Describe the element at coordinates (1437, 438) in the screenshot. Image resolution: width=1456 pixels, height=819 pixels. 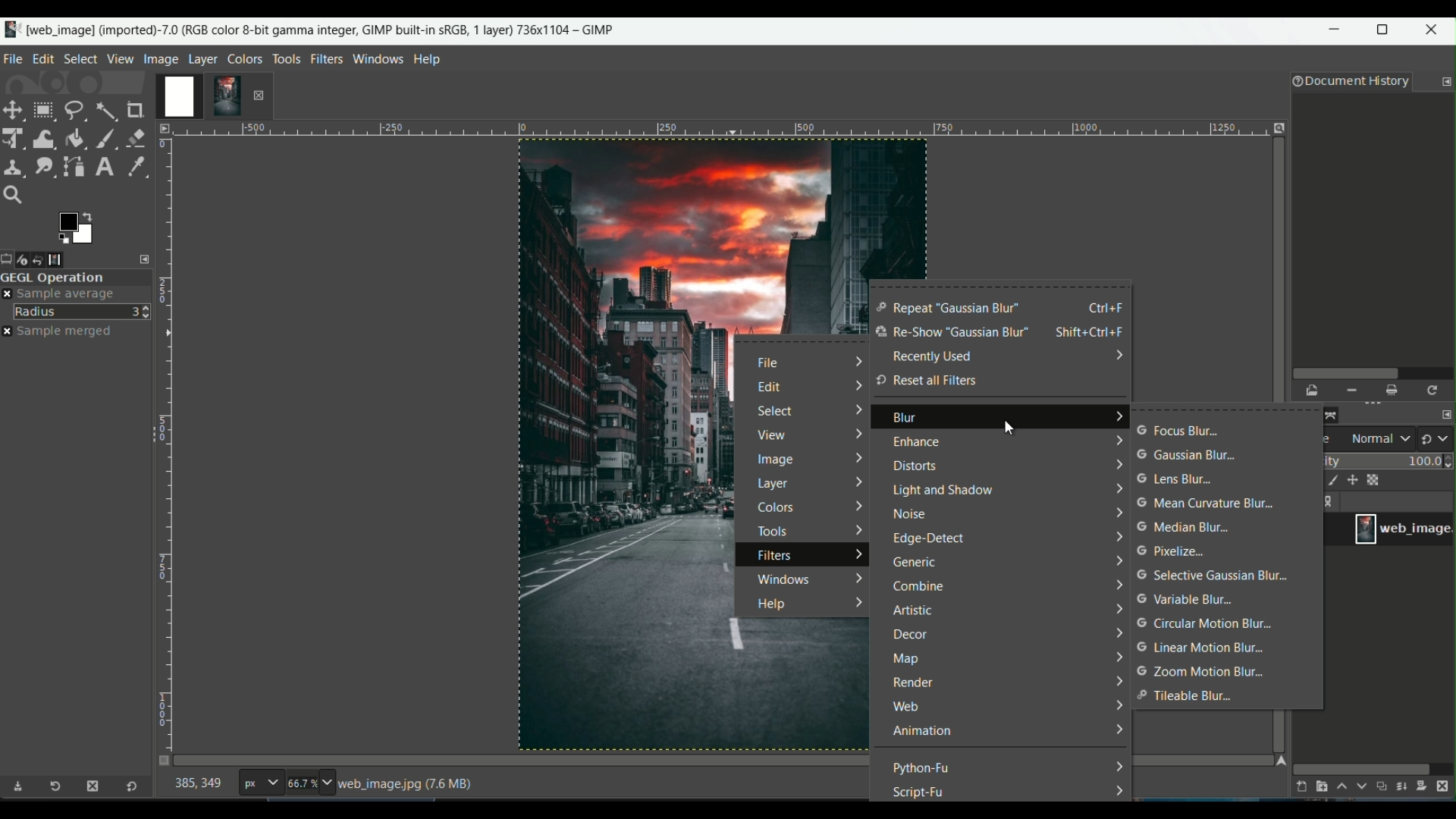
I see `change mode` at that location.